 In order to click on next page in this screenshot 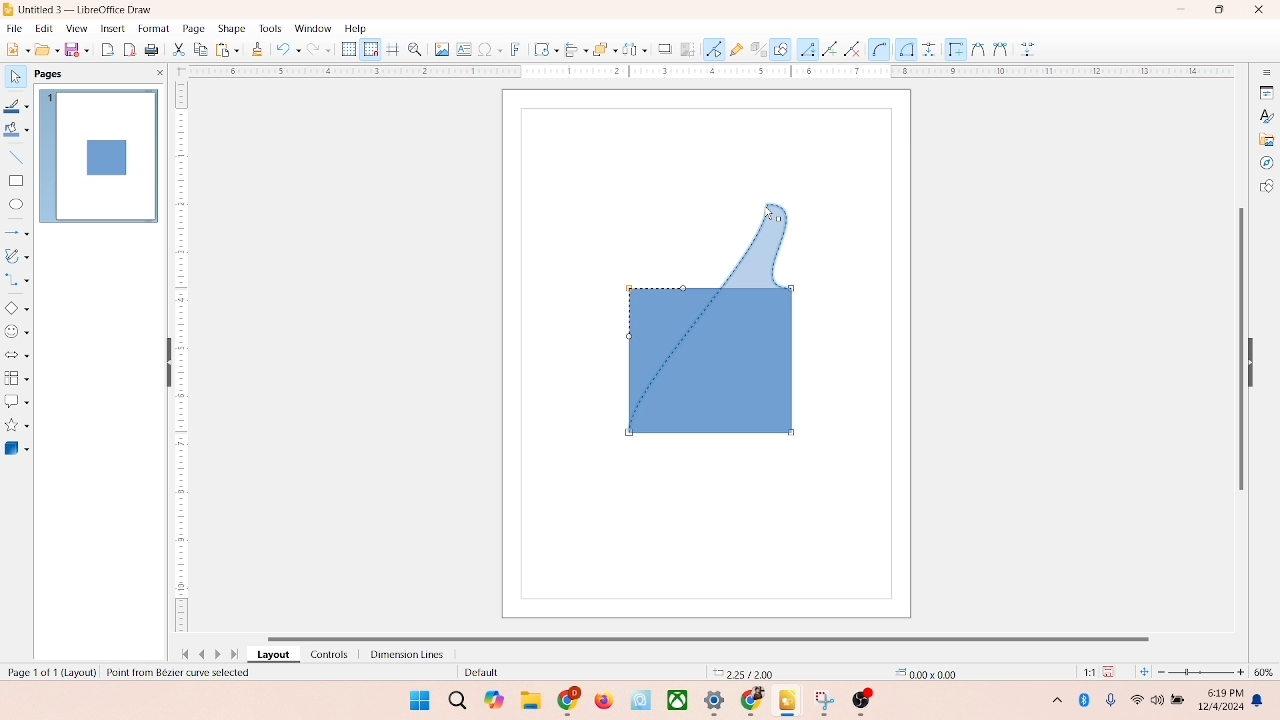, I will do `click(220, 654)`.